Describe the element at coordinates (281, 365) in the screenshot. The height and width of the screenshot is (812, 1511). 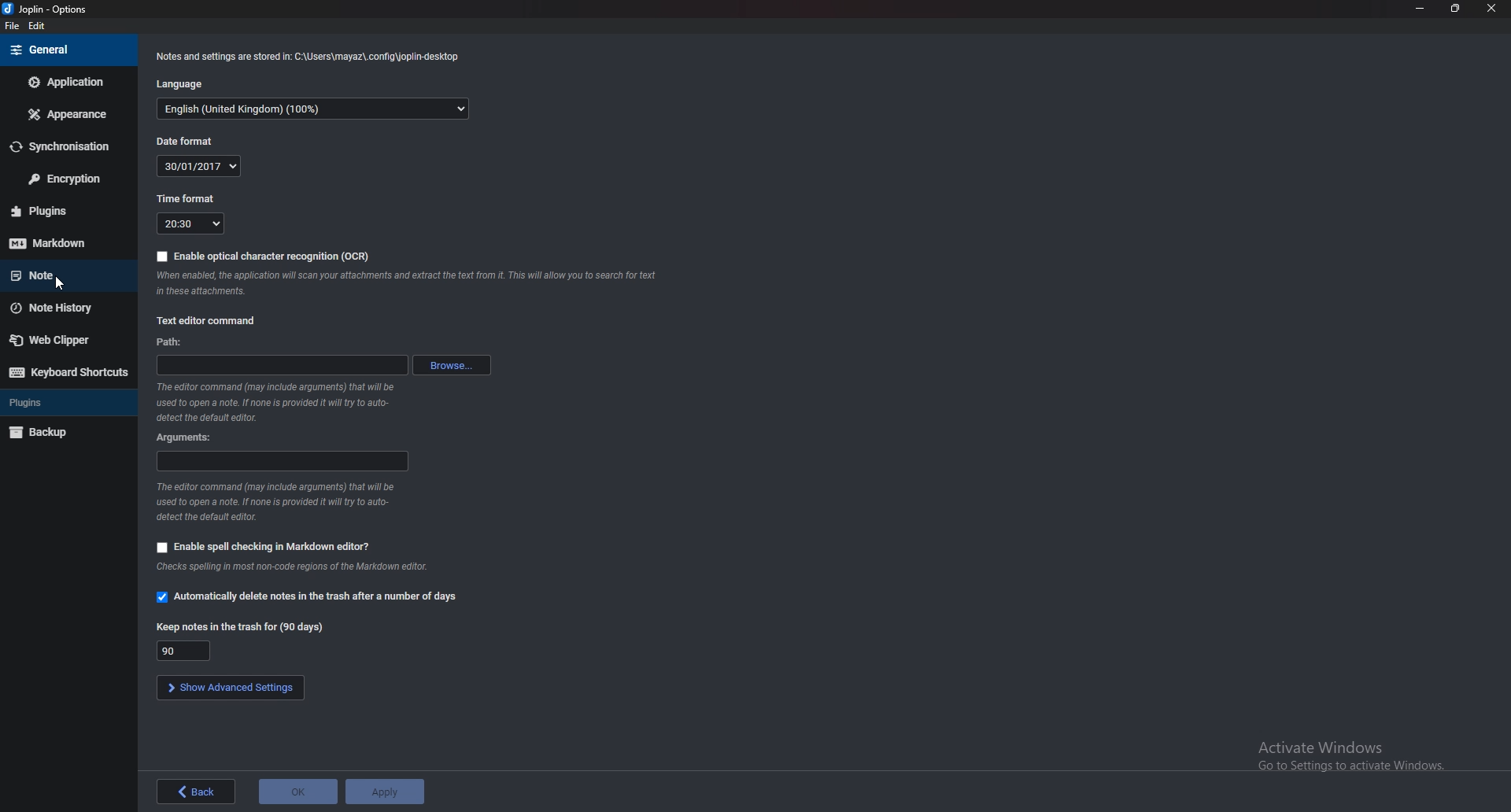
I see `path` at that location.